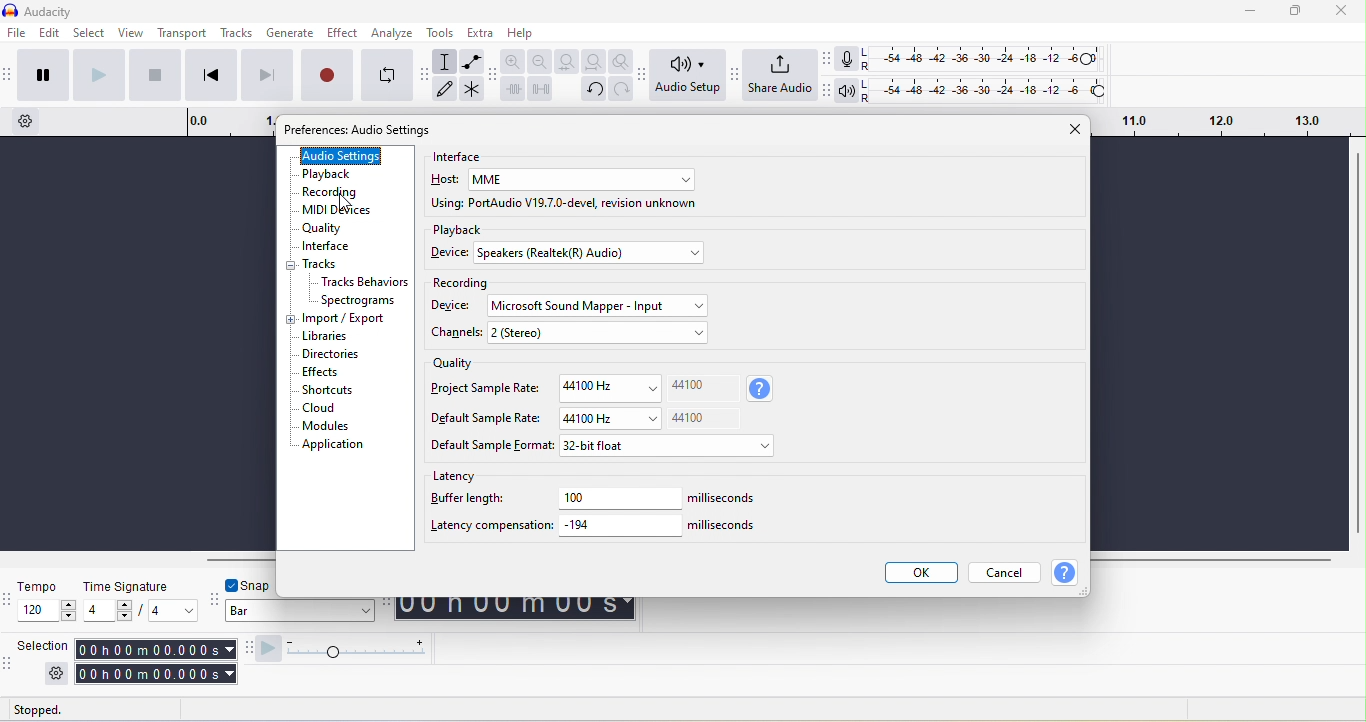 The image size is (1366, 722). I want to click on skip to end, so click(267, 75).